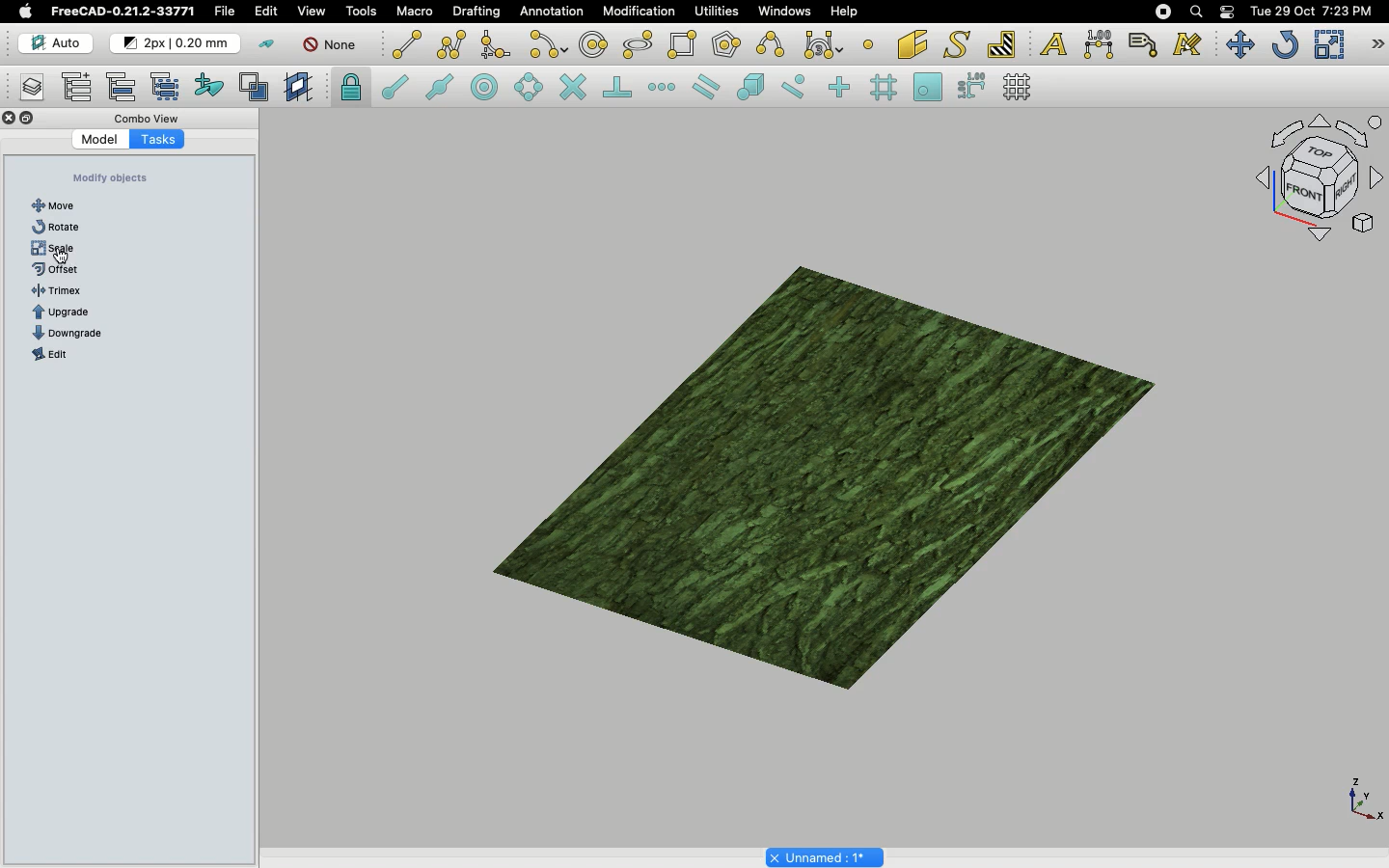  Describe the element at coordinates (59, 227) in the screenshot. I see `Polyline` at that location.